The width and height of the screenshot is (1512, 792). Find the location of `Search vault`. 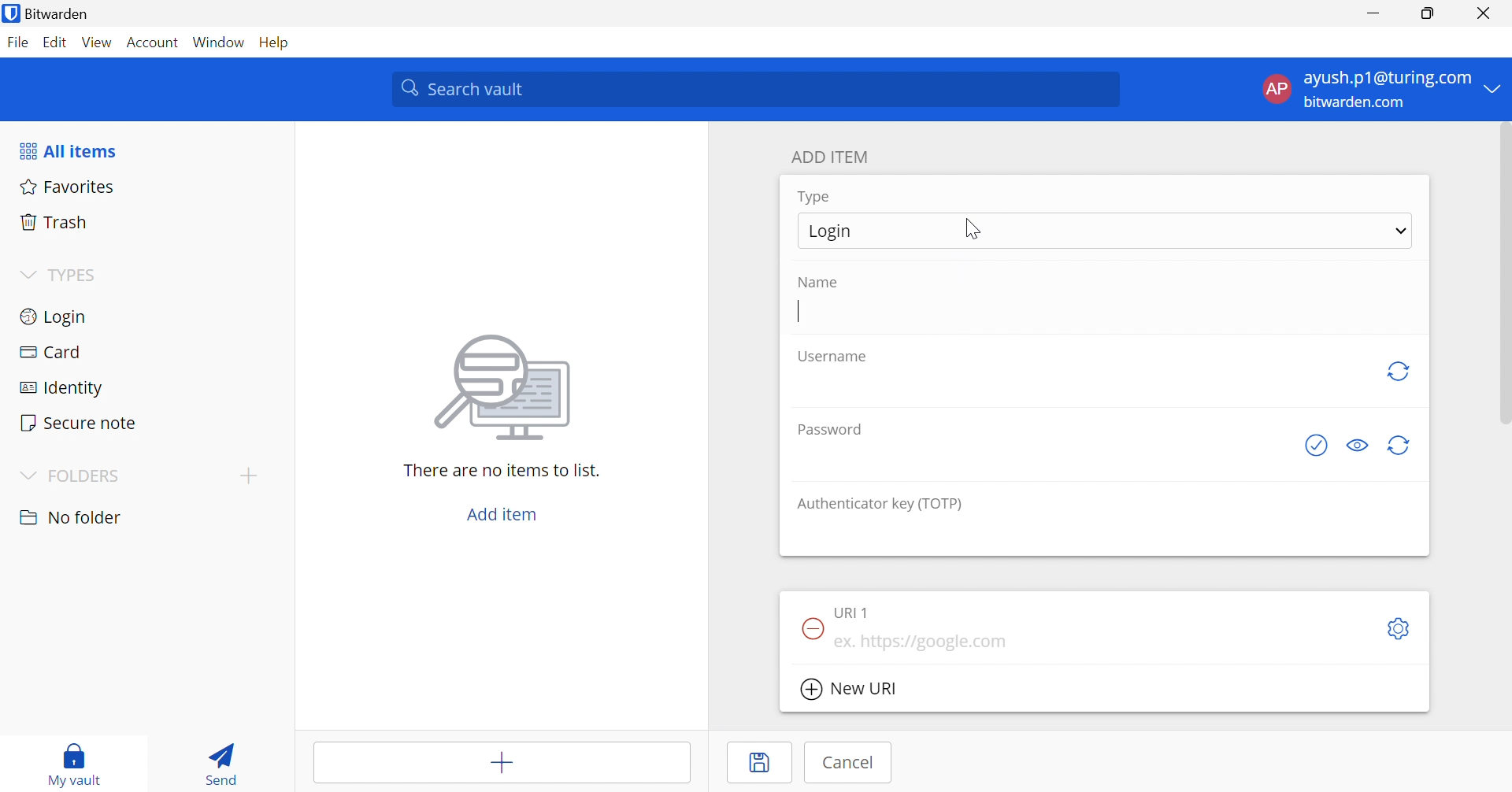

Search vault is located at coordinates (754, 89).